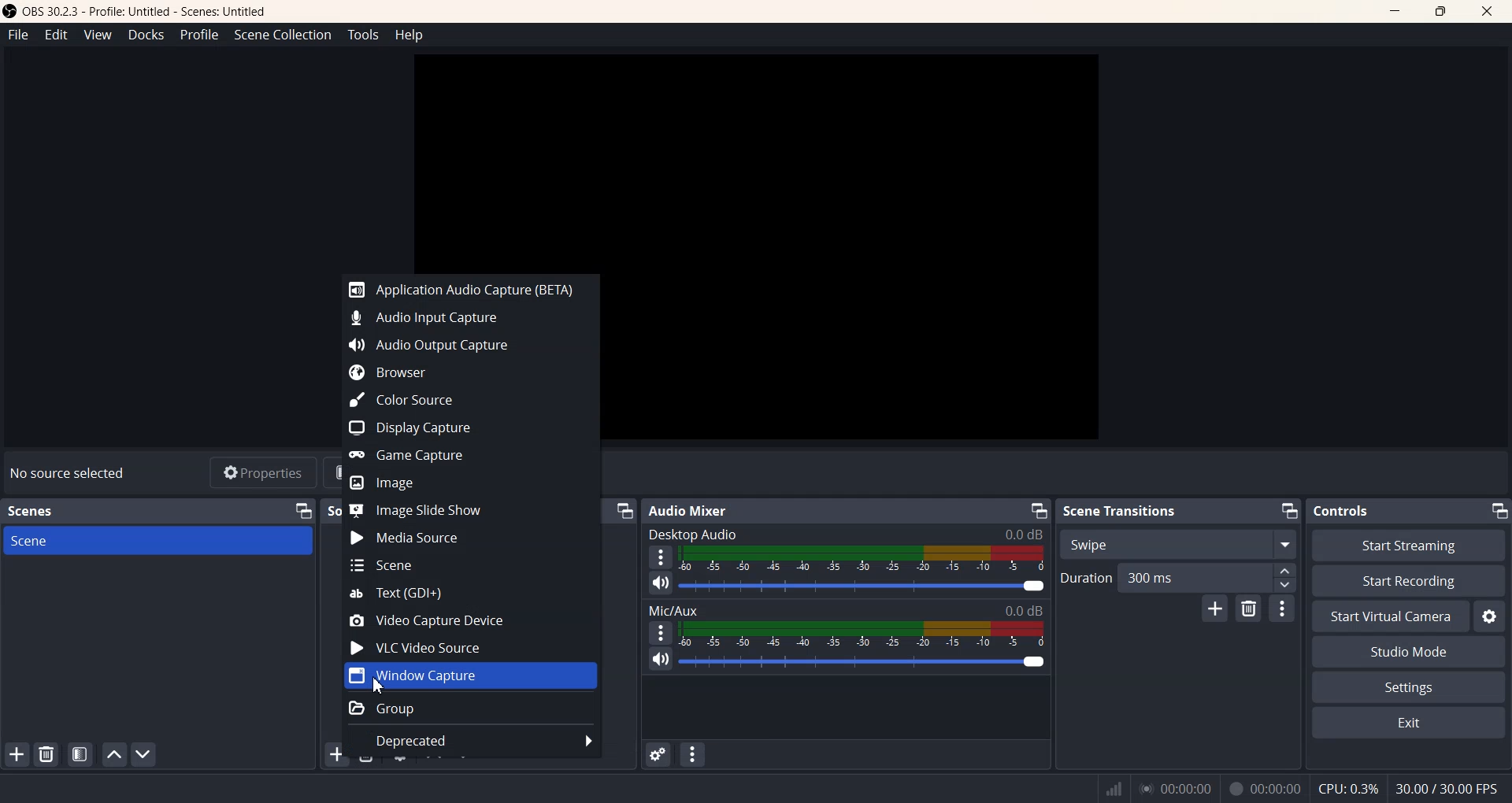 The width and height of the screenshot is (1512, 803). Describe the element at coordinates (1179, 543) in the screenshot. I see `Swipe` at that location.